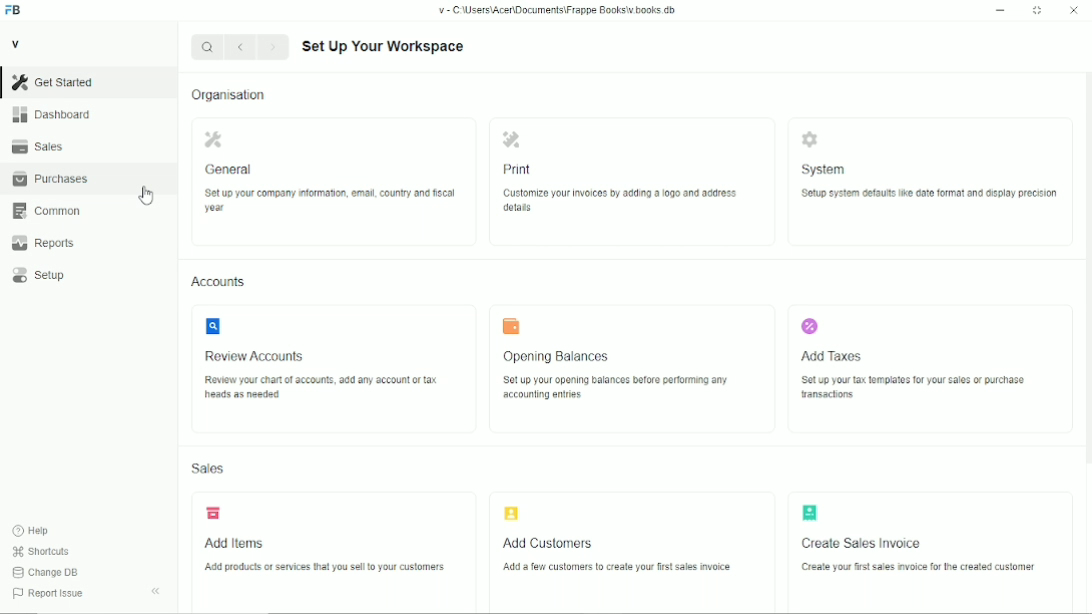  Describe the element at coordinates (329, 568) in the screenshot. I see `‘Add products of services that you sell 10 your customers` at that location.